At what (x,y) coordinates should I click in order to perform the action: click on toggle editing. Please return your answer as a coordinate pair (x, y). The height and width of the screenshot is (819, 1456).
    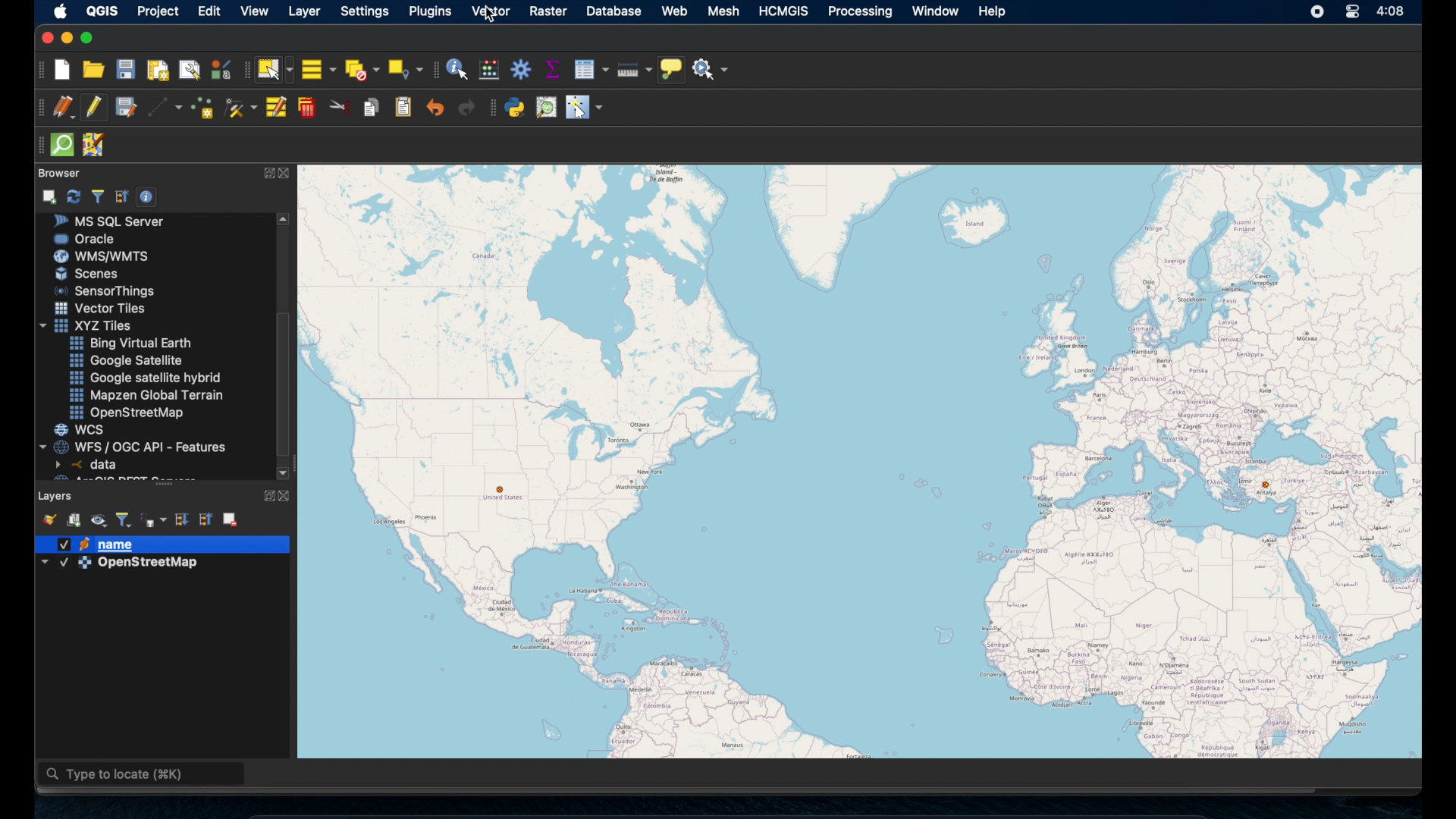
    Looking at the image, I should click on (93, 107).